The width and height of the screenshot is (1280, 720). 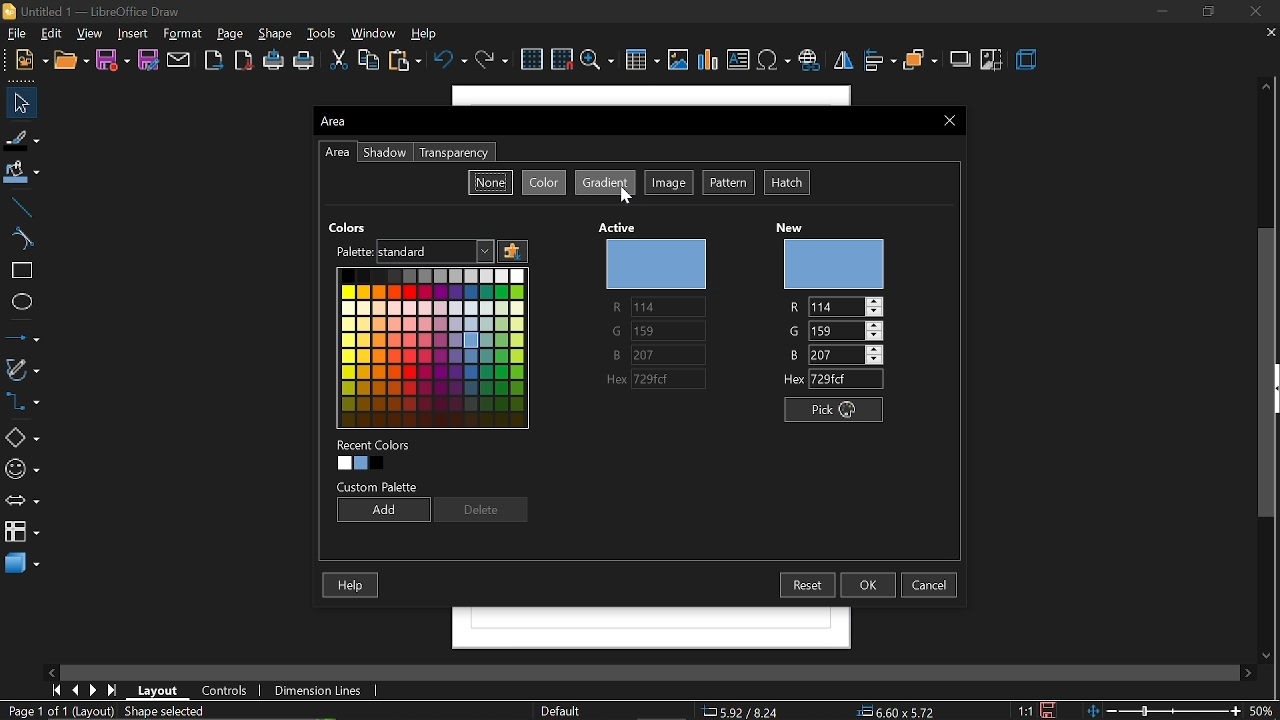 What do you see at coordinates (376, 455) in the screenshot?
I see `recent colors` at bounding box center [376, 455].